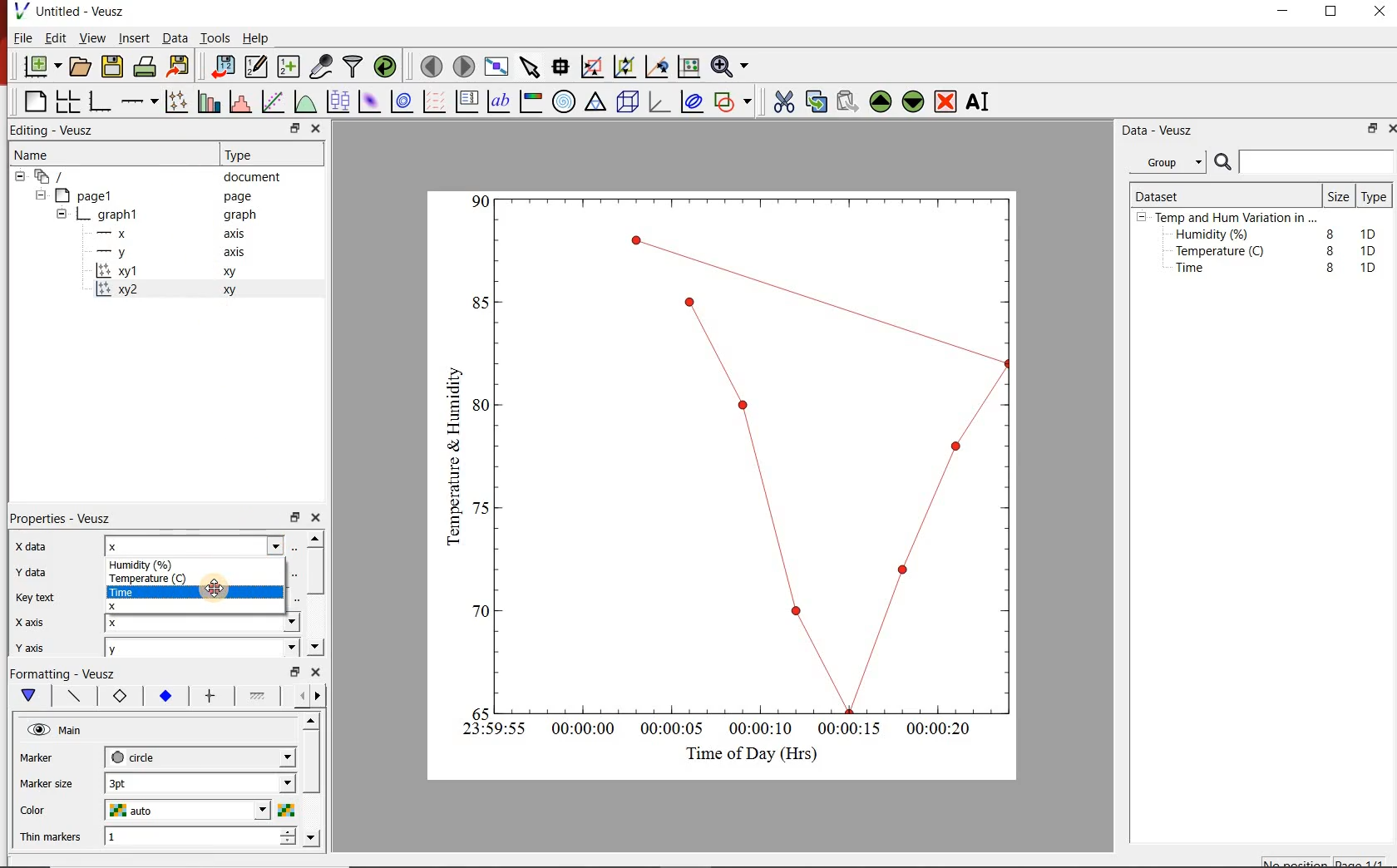 This screenshot has height=868, width=1397. I want to click on Marker, so click(49, 759).